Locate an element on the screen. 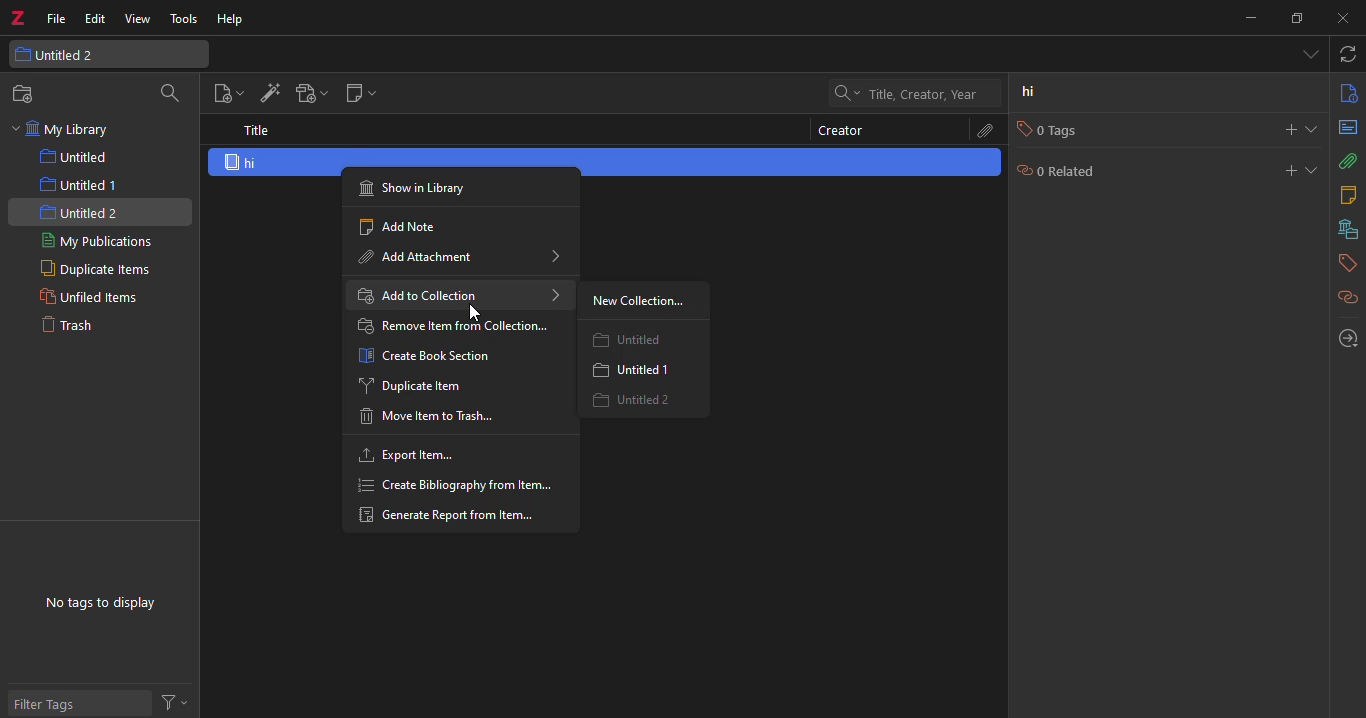  attach is located at coordinates (985, 130).